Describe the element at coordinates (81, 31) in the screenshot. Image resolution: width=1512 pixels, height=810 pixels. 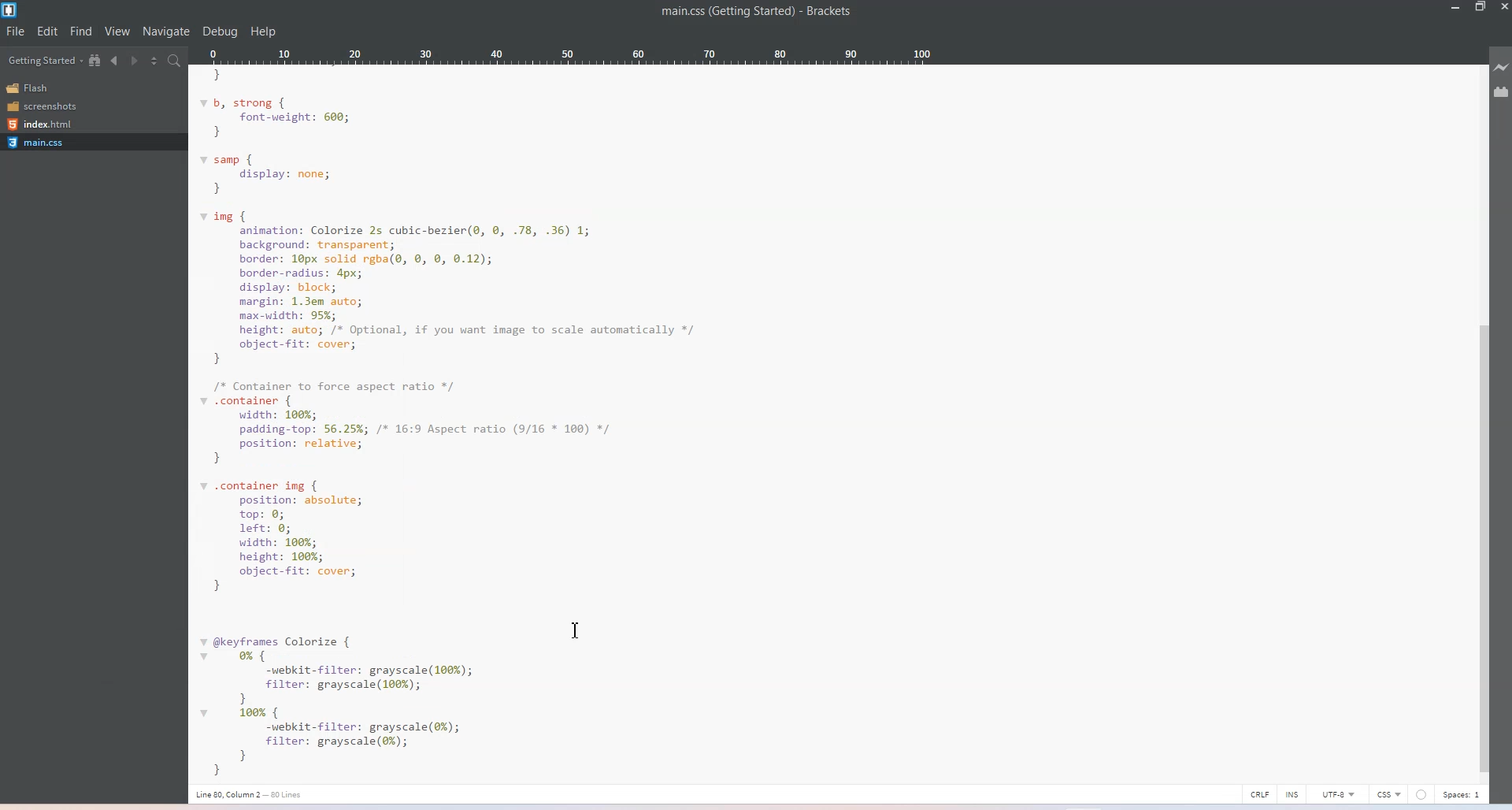
I see `Find` at that location.